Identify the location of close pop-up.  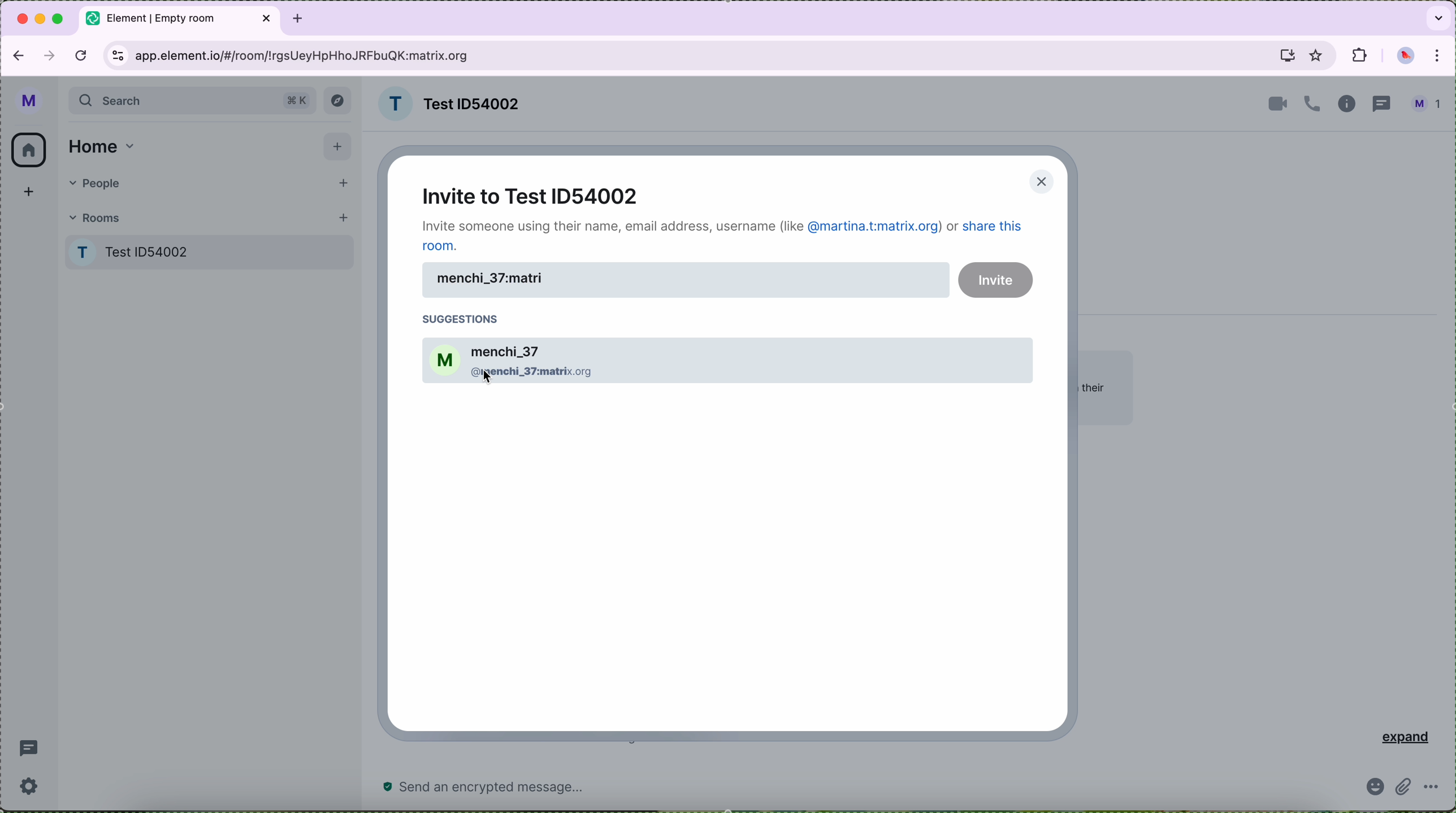
(1037, 181).